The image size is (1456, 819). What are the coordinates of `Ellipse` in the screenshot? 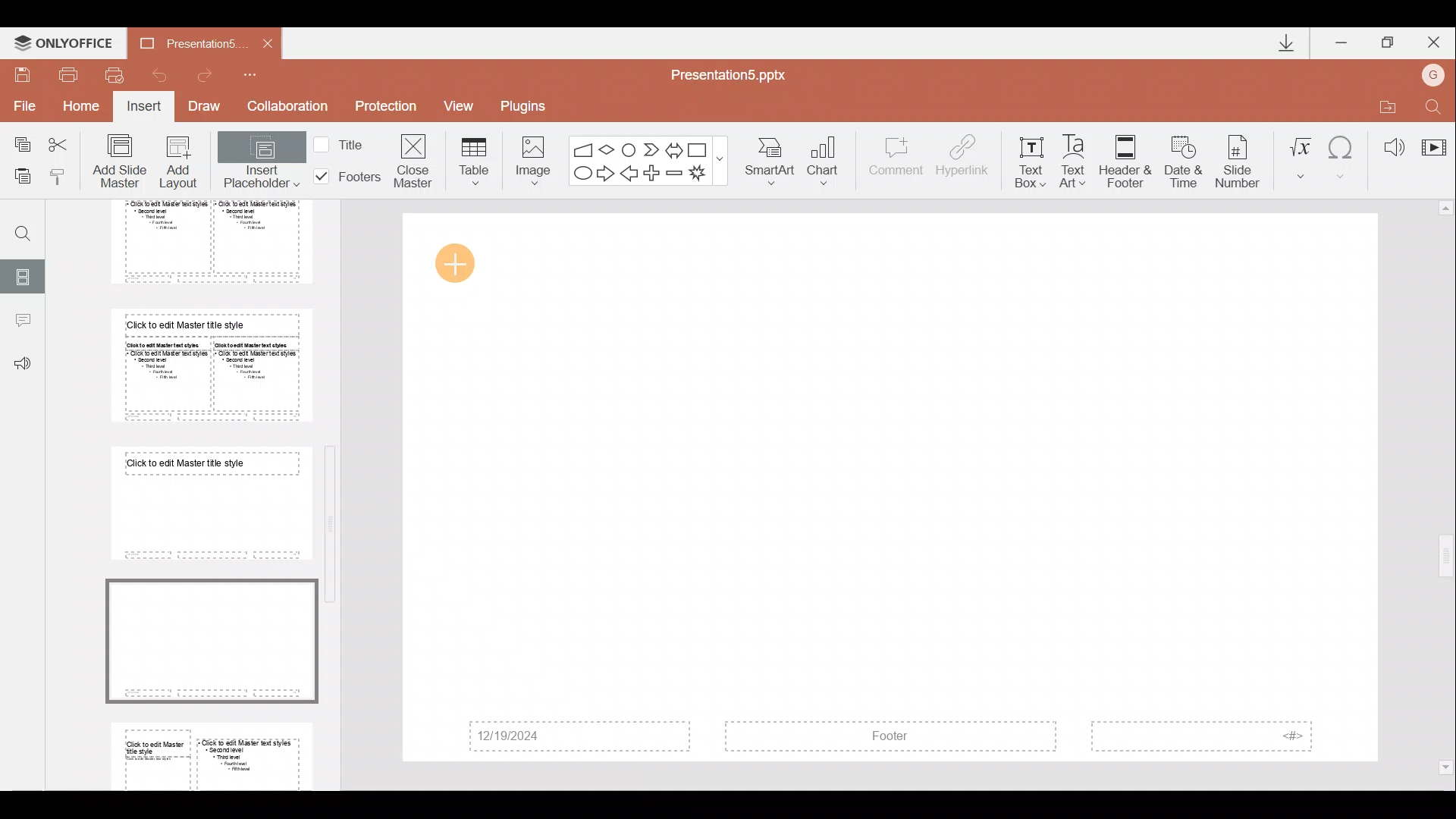 It's located at (581, 174).